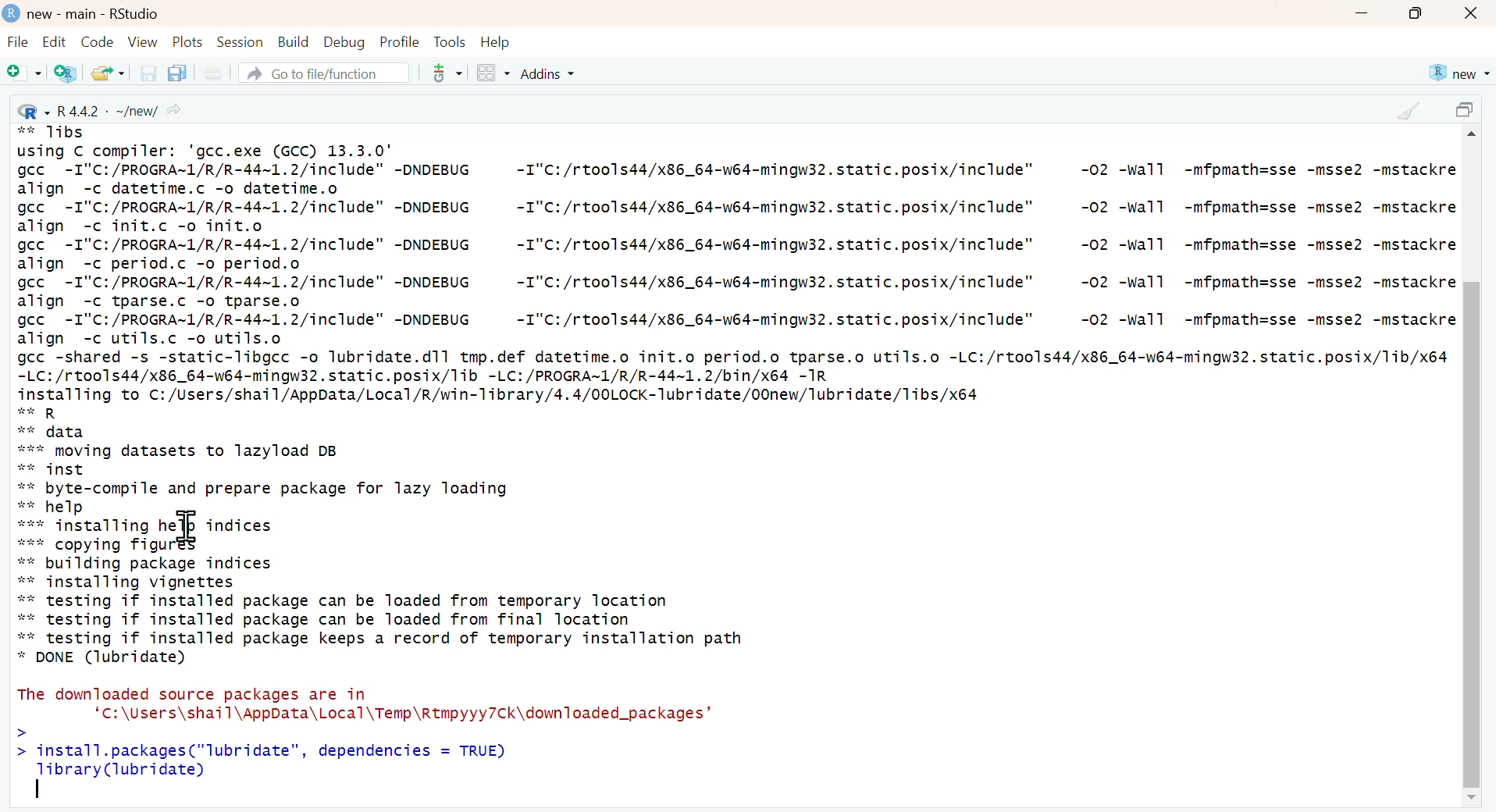  What do you see at coordinates (146, 73) in the screenshot?
I see `save the current document` at bounding box center [146, 73].